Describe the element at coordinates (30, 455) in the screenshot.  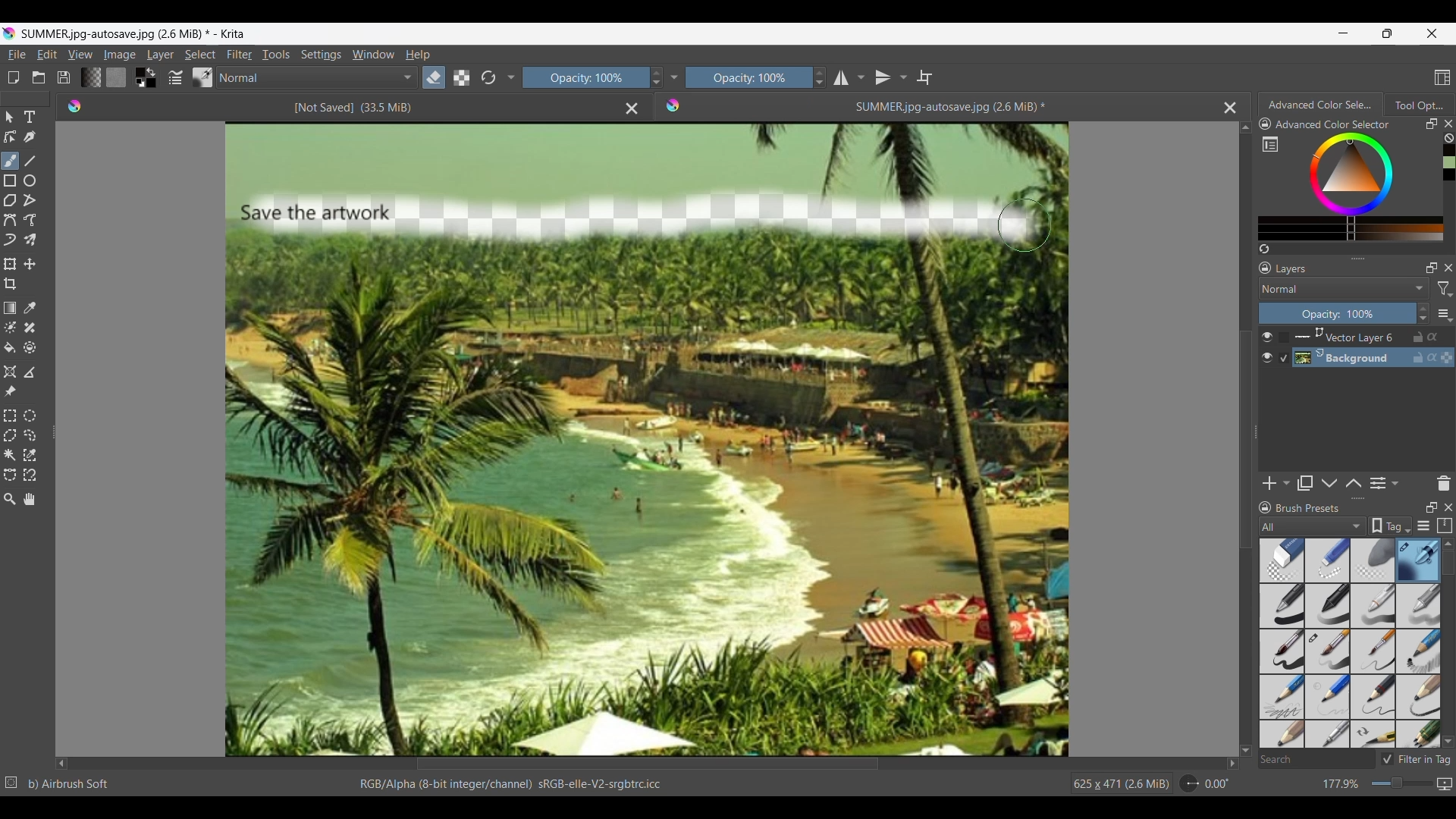
I see `Similar color selection tool` at that location.